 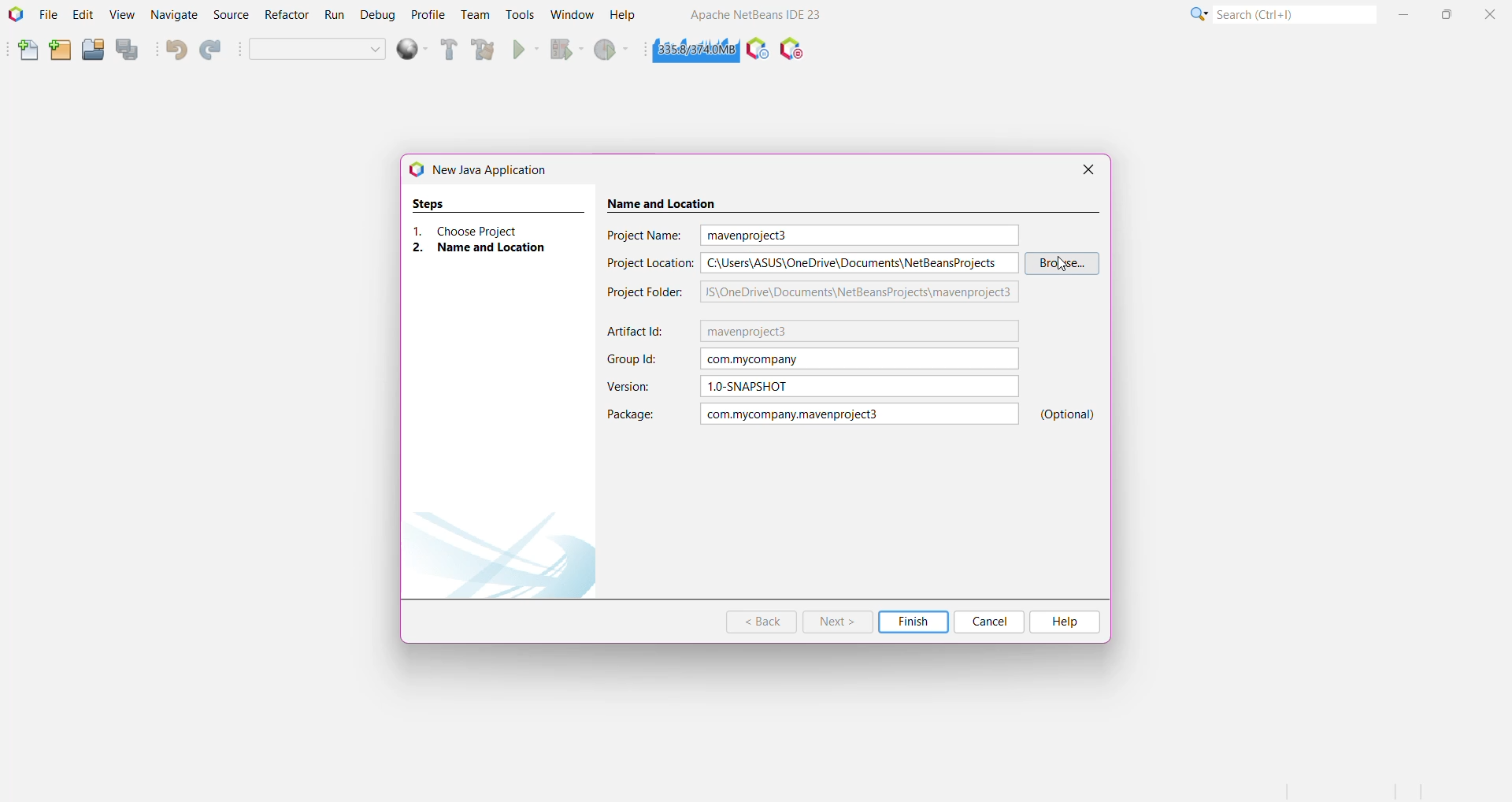 What do you see at coordinates (861, 359) in the screenshot?
I see `Group Id` at bounding box center [861, 359].